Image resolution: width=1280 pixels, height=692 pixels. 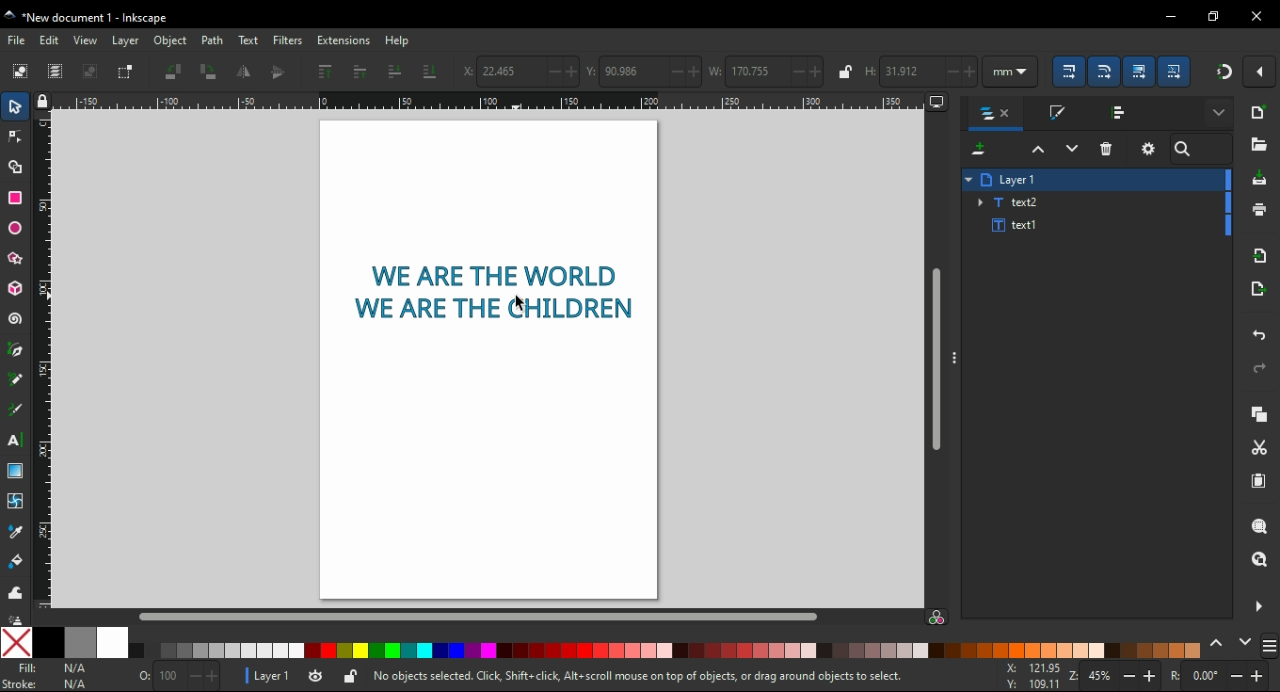 What do you see at coordinates (128, 73) in the screenshot?
I see `toggle selection box to select all touched objects` at bounding box center [128, 73].